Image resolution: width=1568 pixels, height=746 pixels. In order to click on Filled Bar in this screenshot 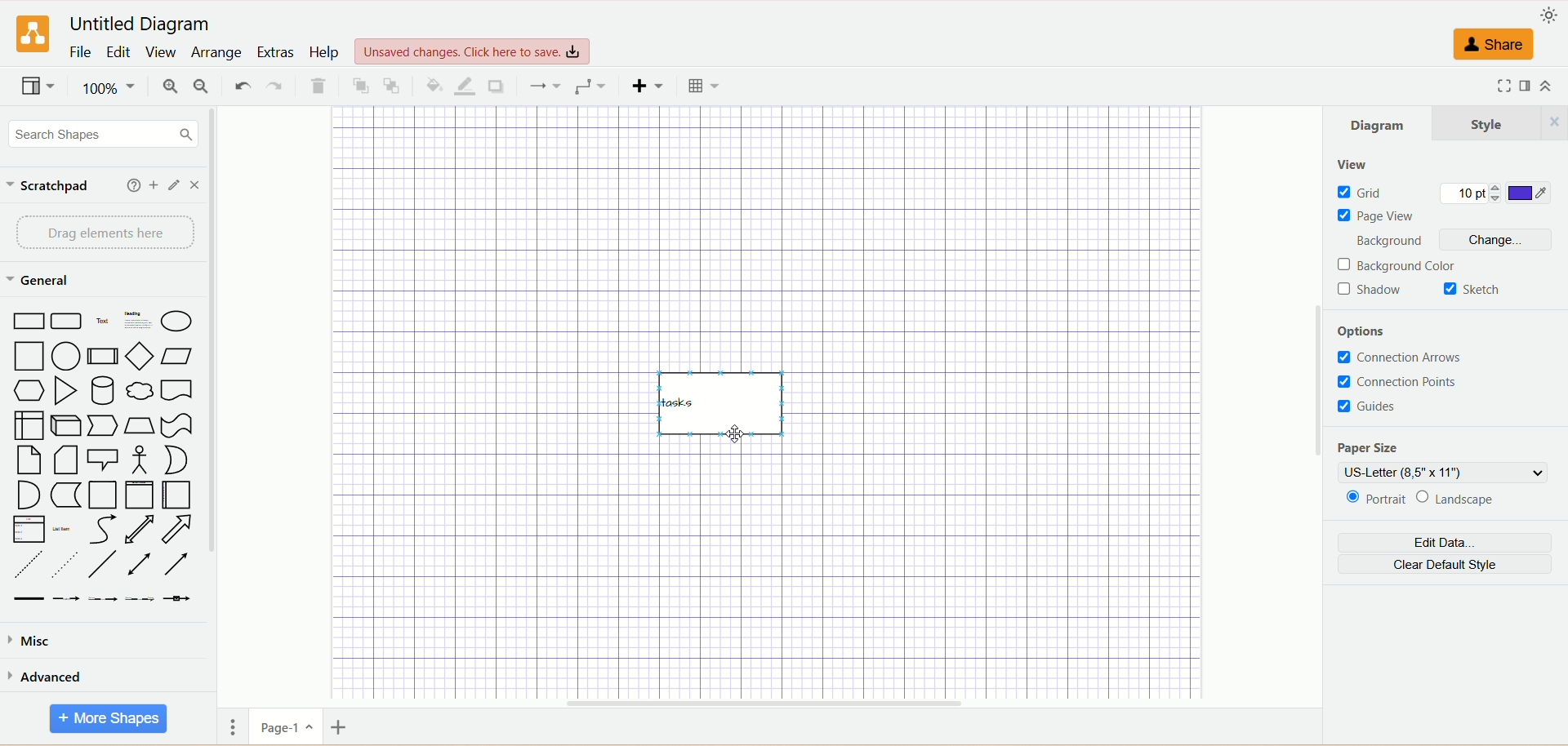, I will do `click(29, 600)`.